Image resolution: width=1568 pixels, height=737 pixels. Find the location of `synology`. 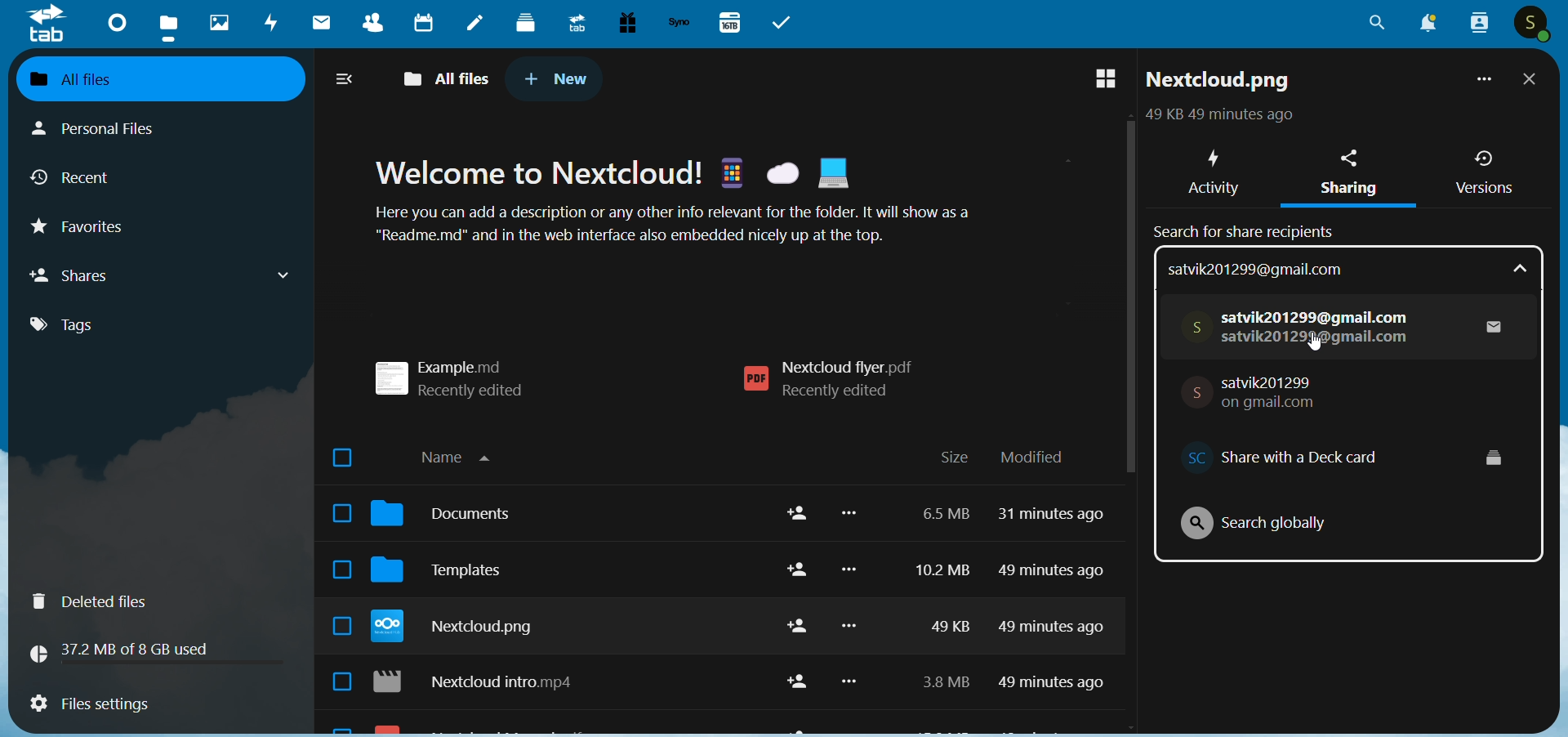

synology is located at coordinates (679, 23).